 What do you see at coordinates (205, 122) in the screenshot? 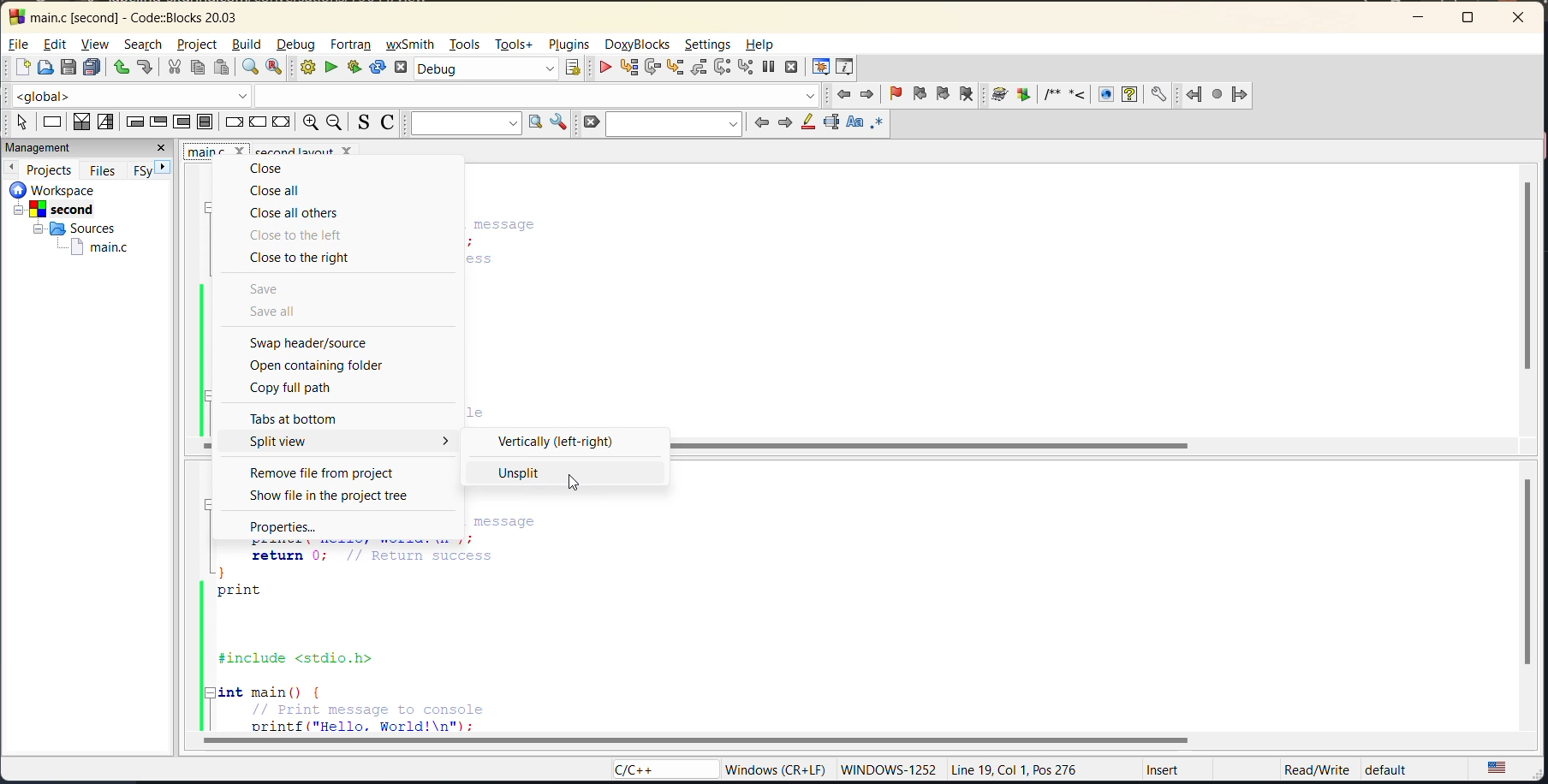
I see `block instruction` at bounding box center [205, 122].